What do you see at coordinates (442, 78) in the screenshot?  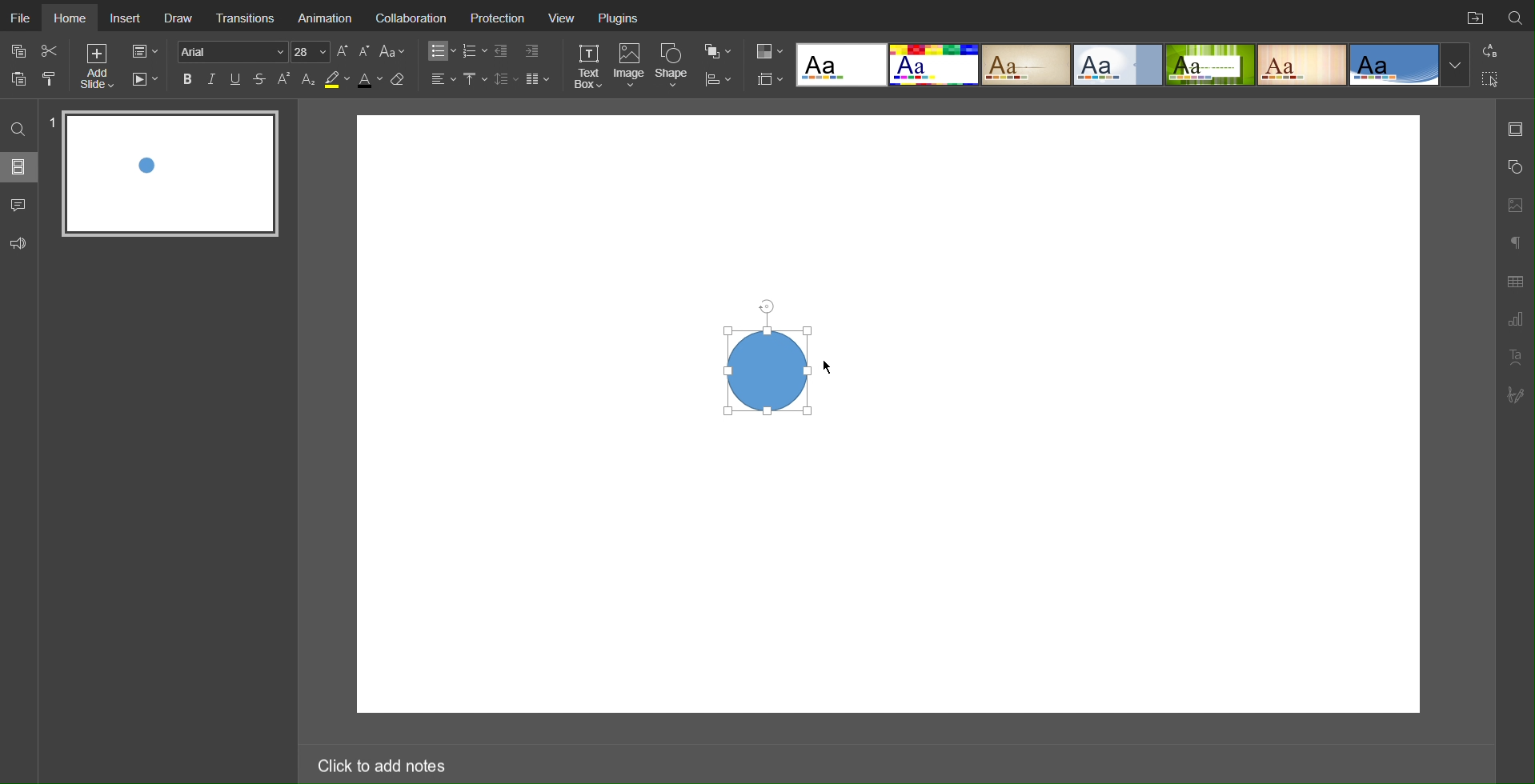 I see `Alignment` at bounding box center [442, 78].